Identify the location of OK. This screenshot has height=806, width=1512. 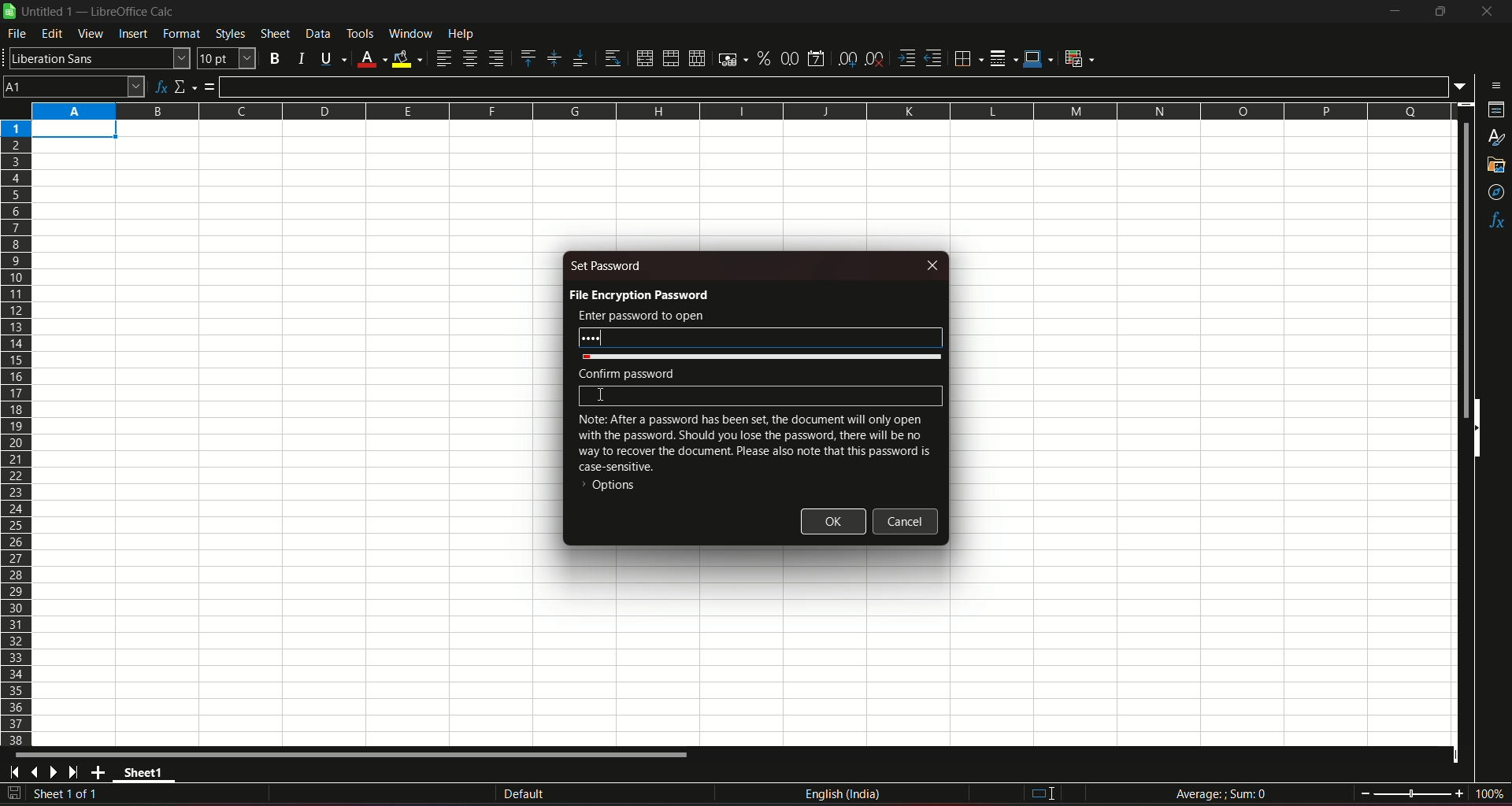
(834, 521).